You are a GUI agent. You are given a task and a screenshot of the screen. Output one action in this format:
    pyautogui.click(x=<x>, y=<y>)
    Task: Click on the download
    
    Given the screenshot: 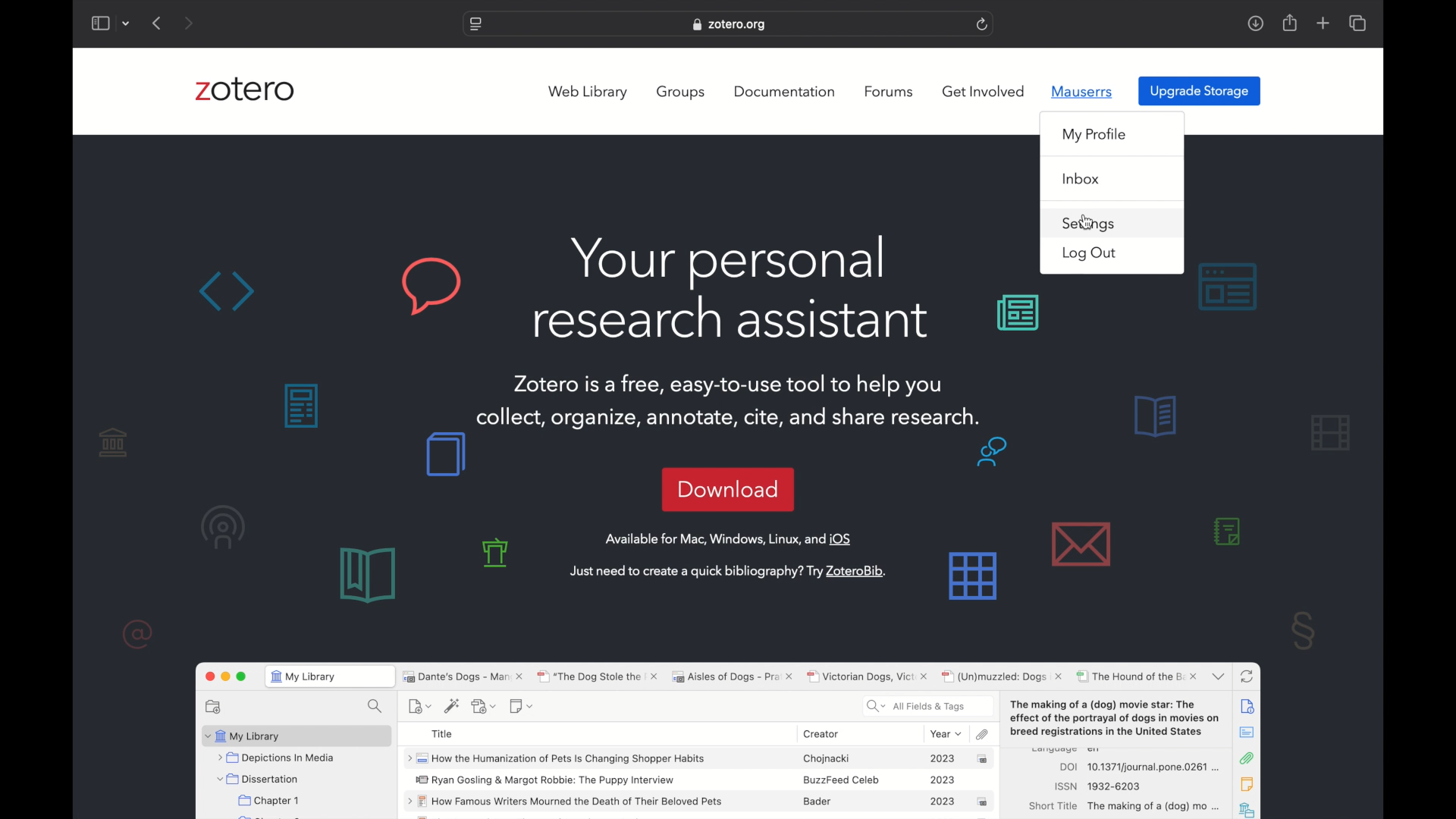 What is the action you would take?
    pyautogui.click(x=727, y=488)
    